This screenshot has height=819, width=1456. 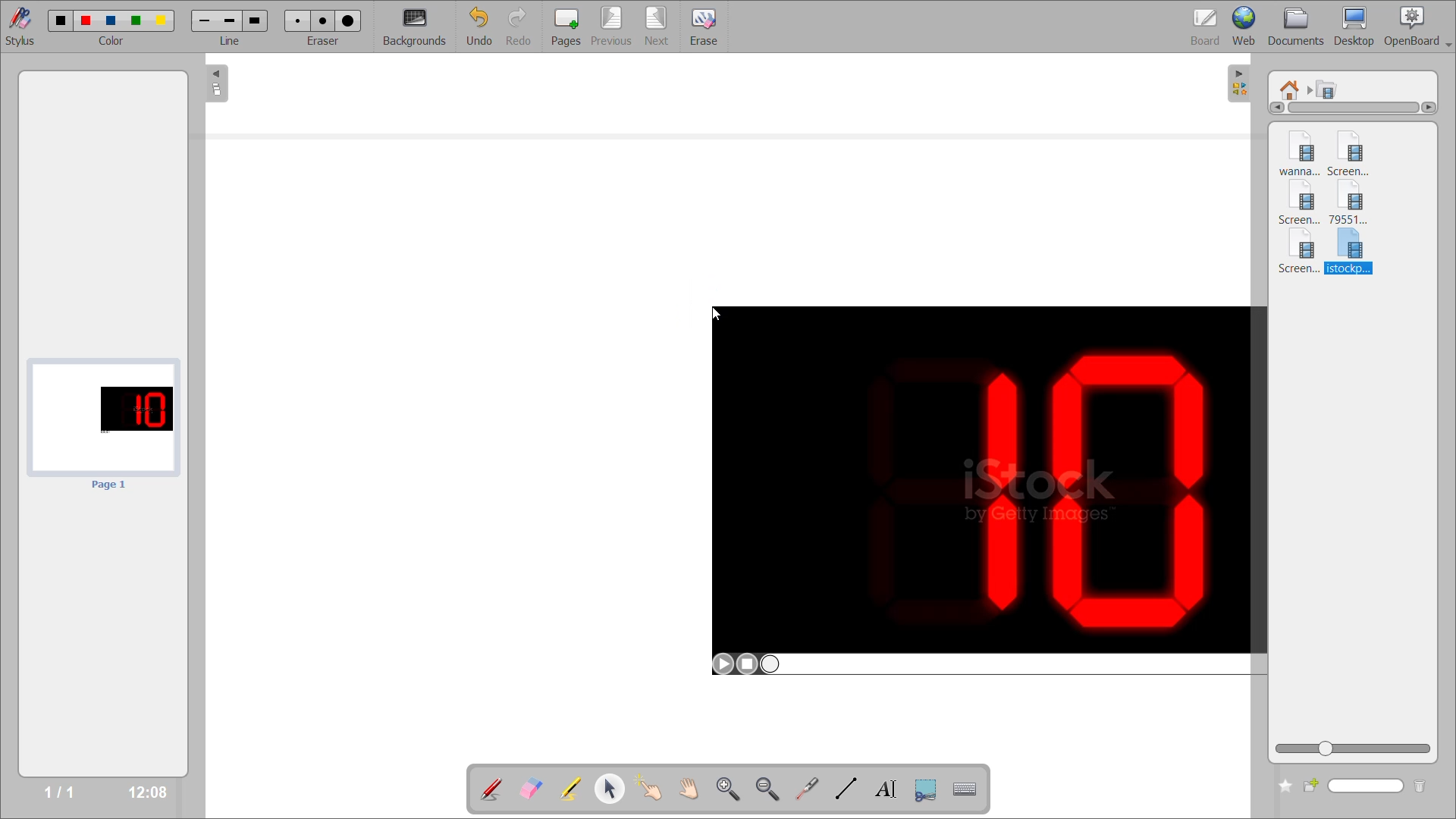 I want to click on zoom slider, so click(x=1355, y=752).